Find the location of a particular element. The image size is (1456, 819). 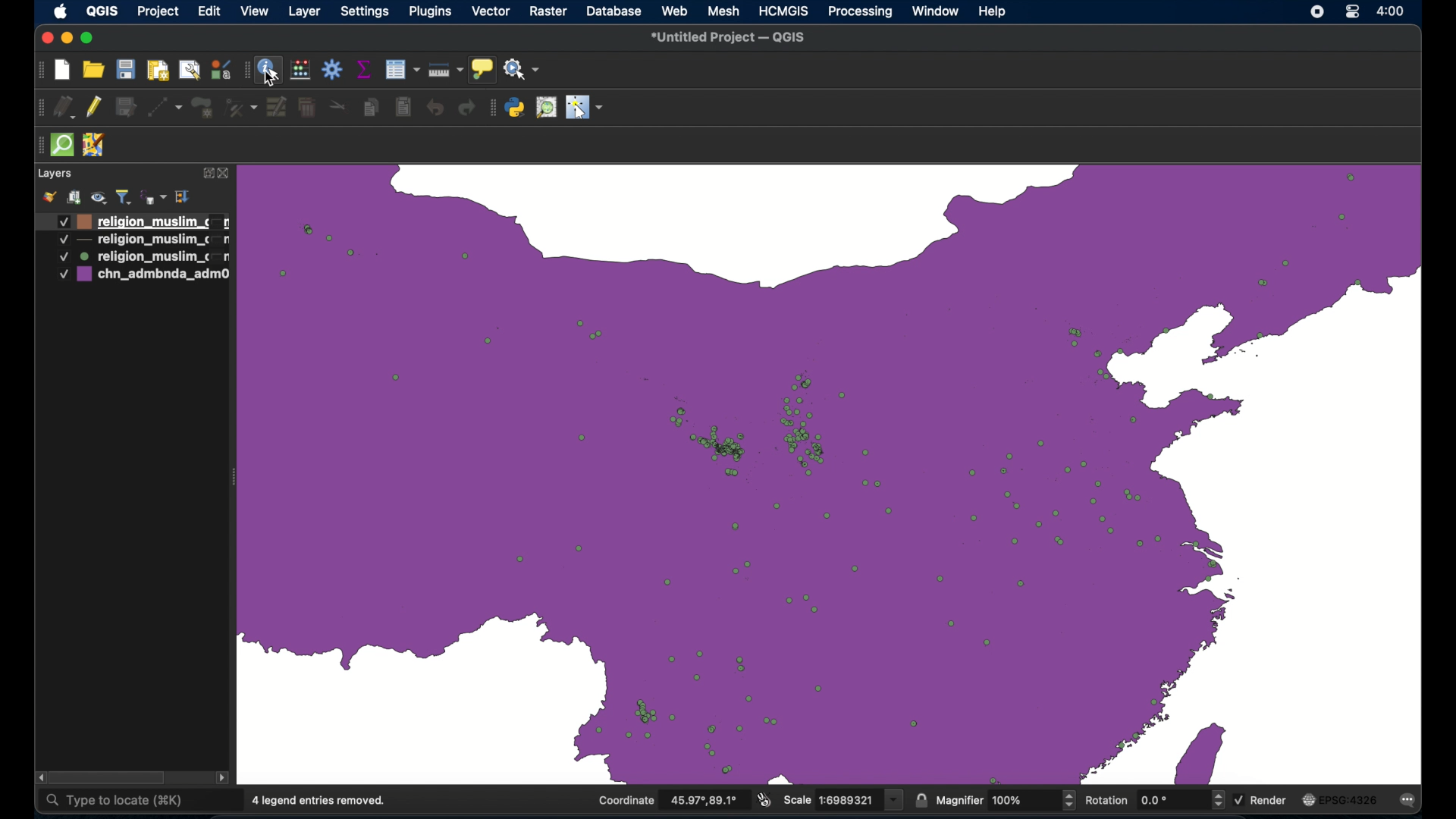

layer 2 is located at coordinates (142, 240).